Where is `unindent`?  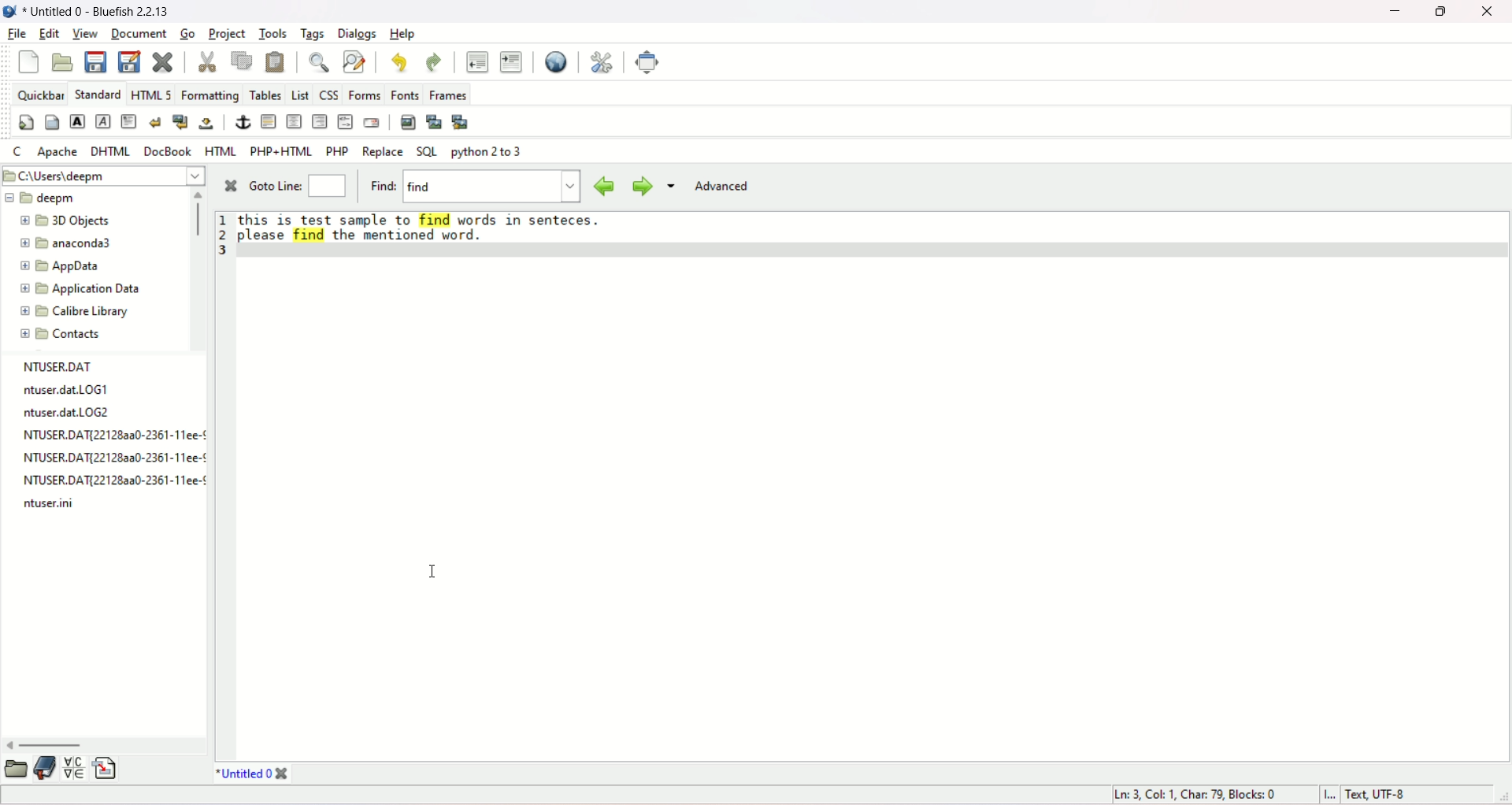
unindent is located at coordinates (476, 60).